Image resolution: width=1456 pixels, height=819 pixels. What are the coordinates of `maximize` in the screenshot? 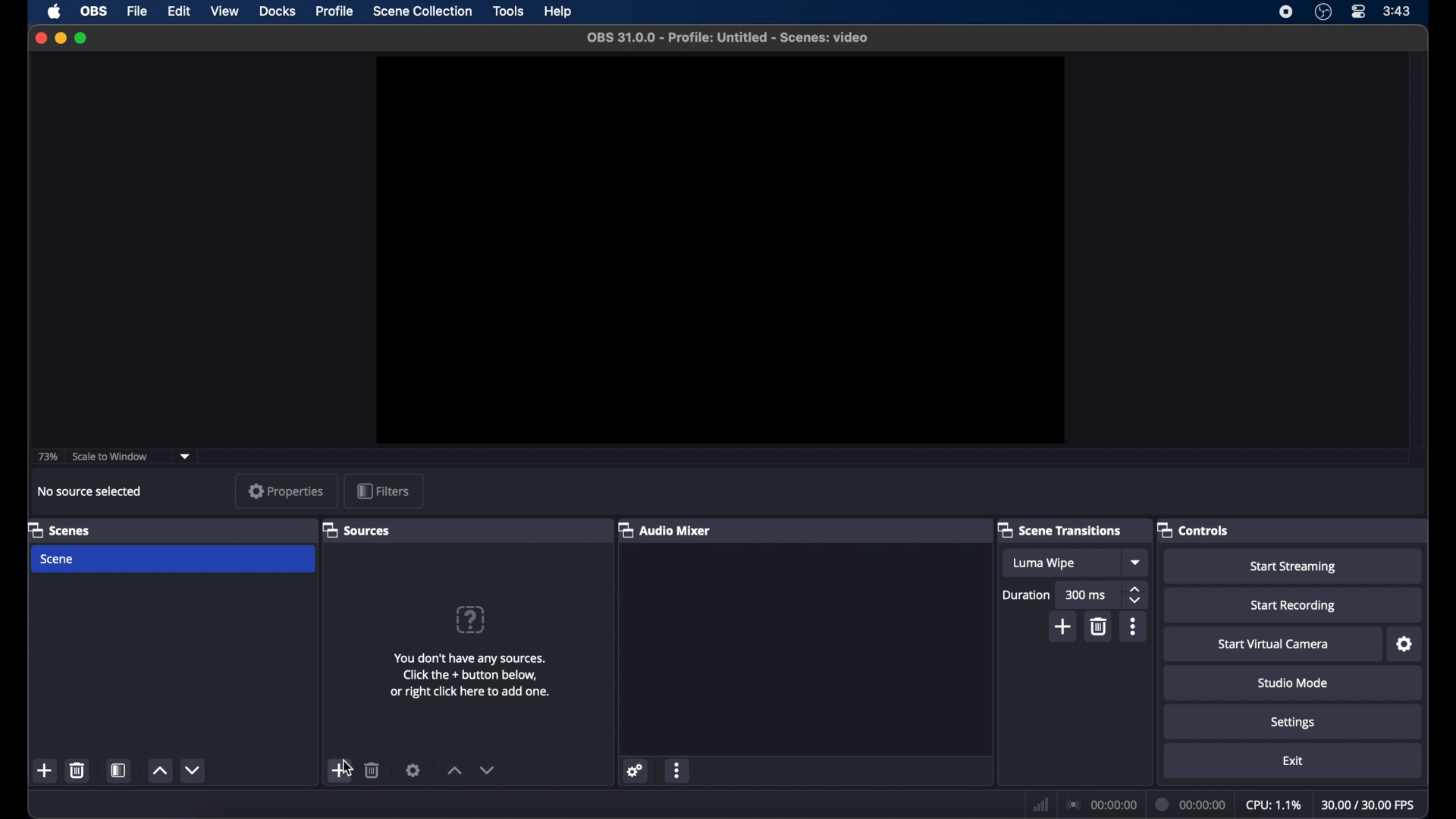 It's located at (83, 38).